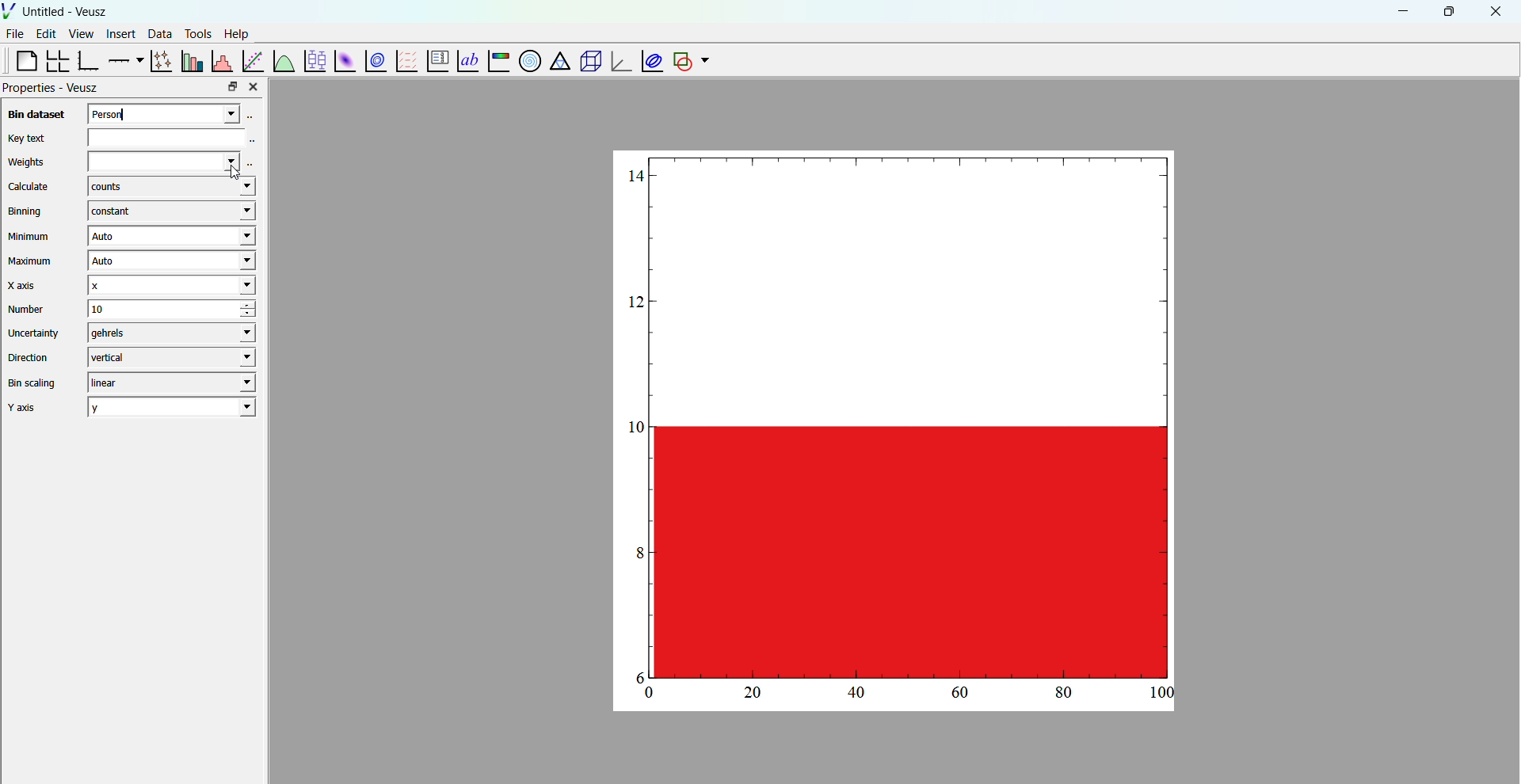  I want to click on 0 20 40 60 80 100`, so click(902, 696).